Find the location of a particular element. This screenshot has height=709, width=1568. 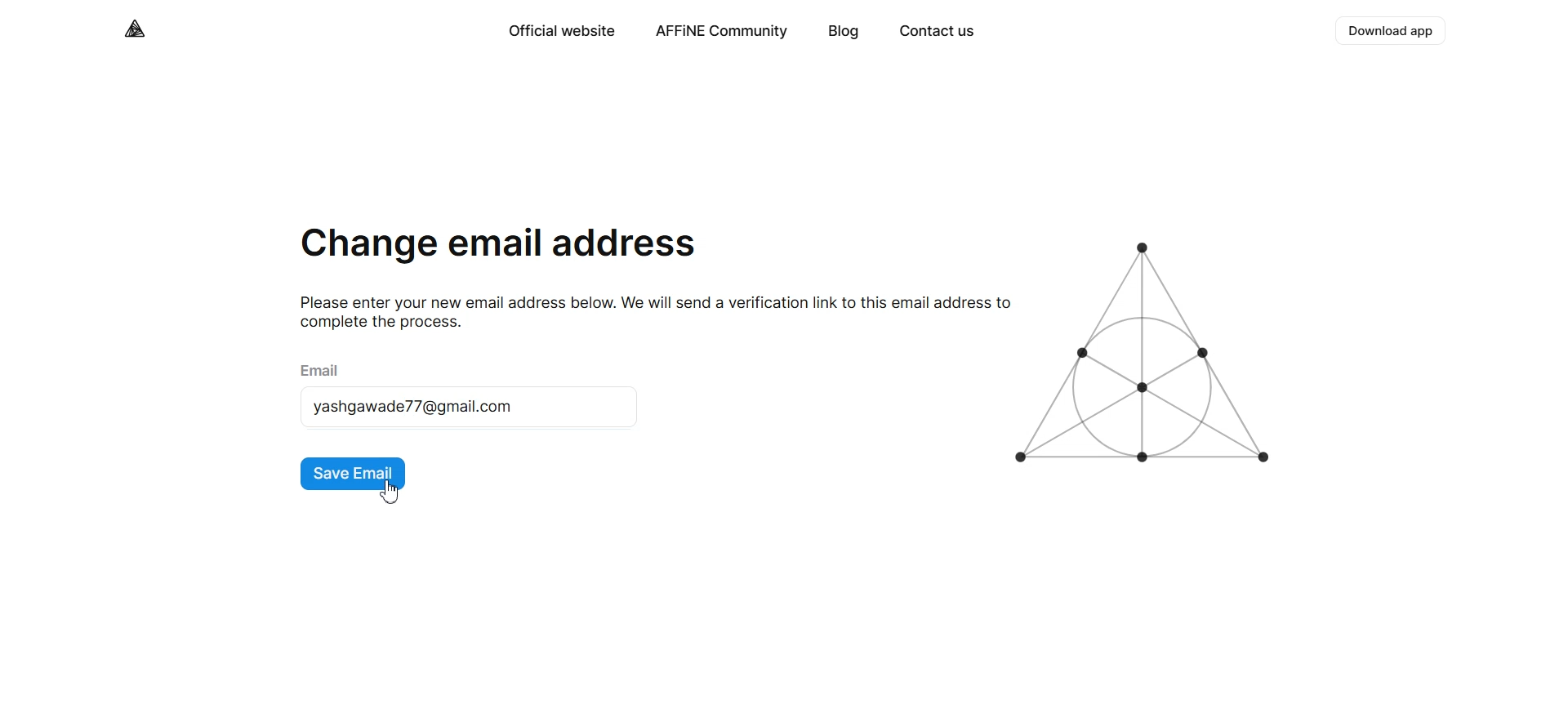

Logo is located at coordinates (1148, 354).